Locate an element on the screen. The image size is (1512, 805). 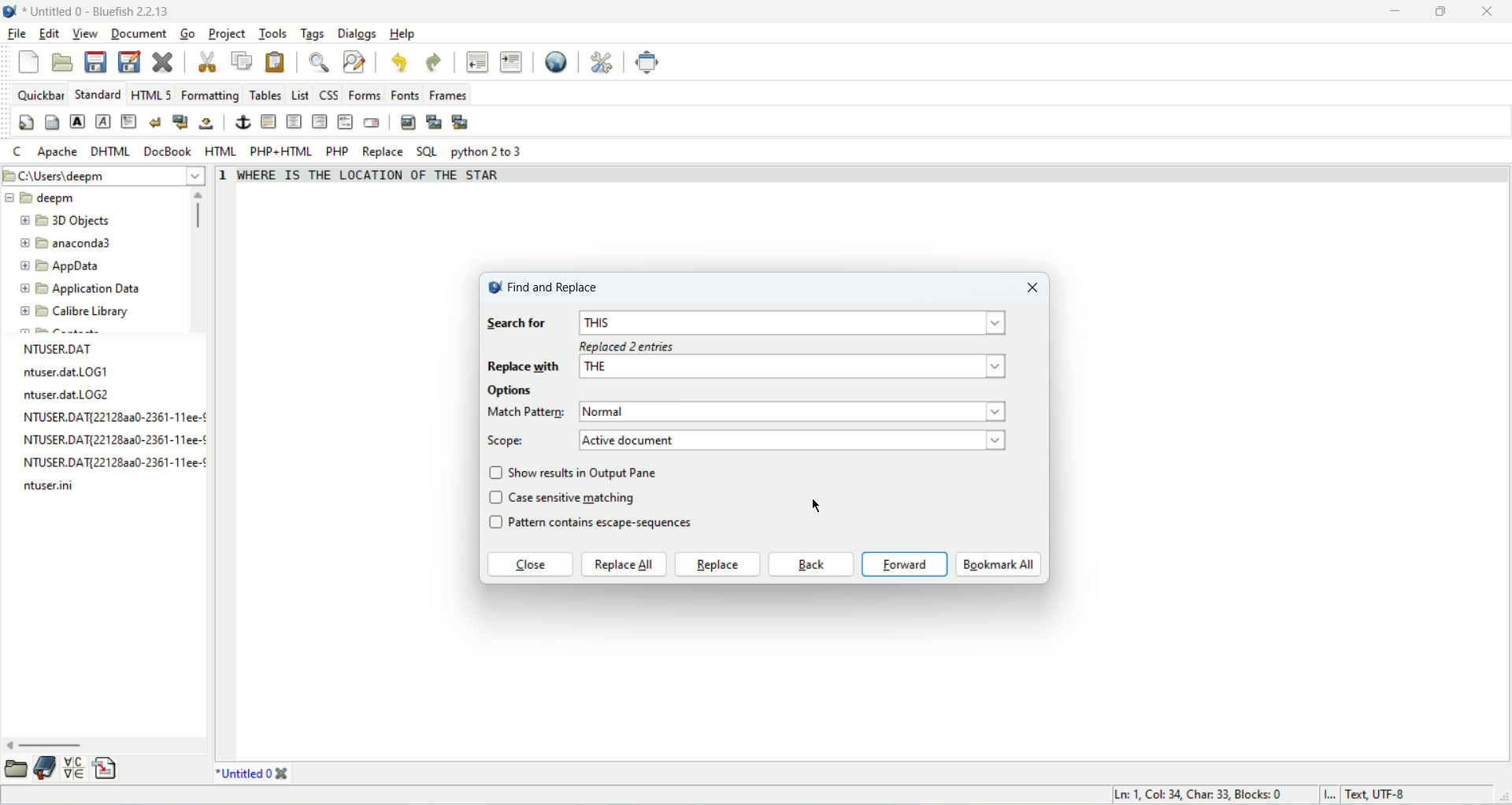
case sensitive matching is located at coordinates (575, 497).